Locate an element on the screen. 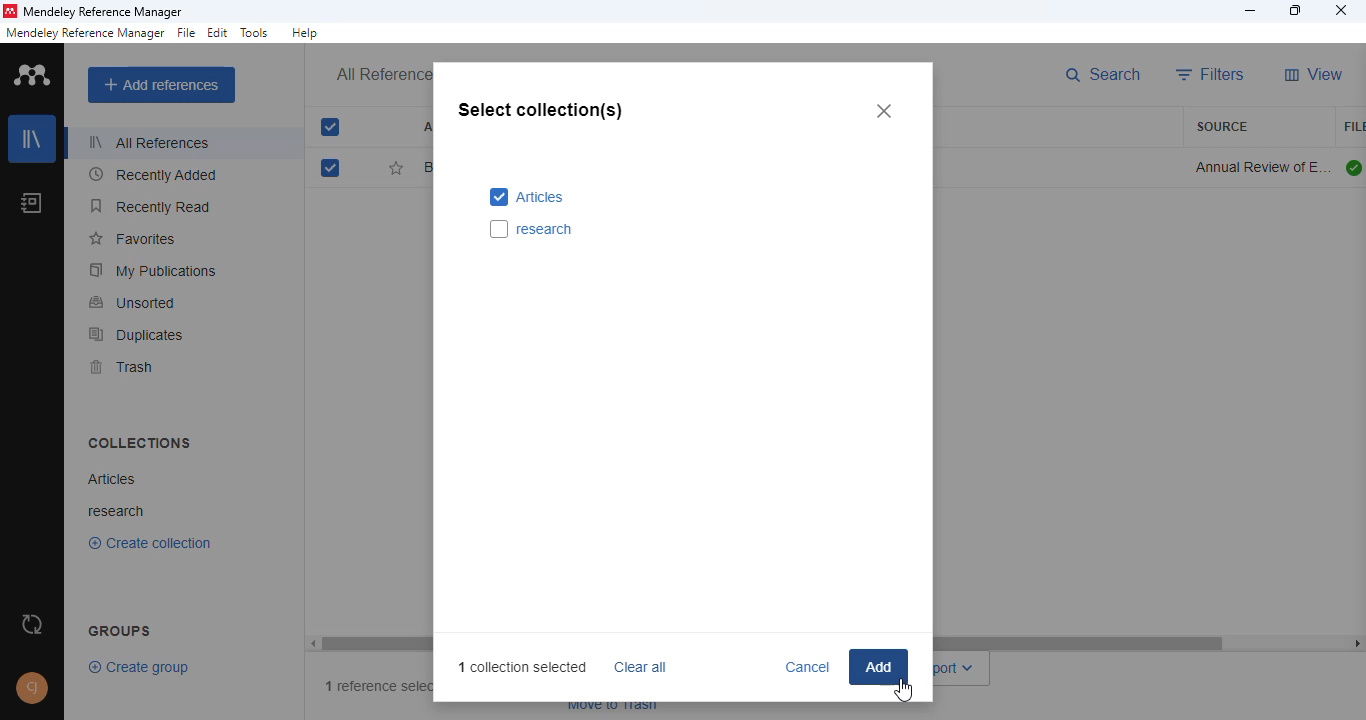  select is located at coordinates (499, 229).